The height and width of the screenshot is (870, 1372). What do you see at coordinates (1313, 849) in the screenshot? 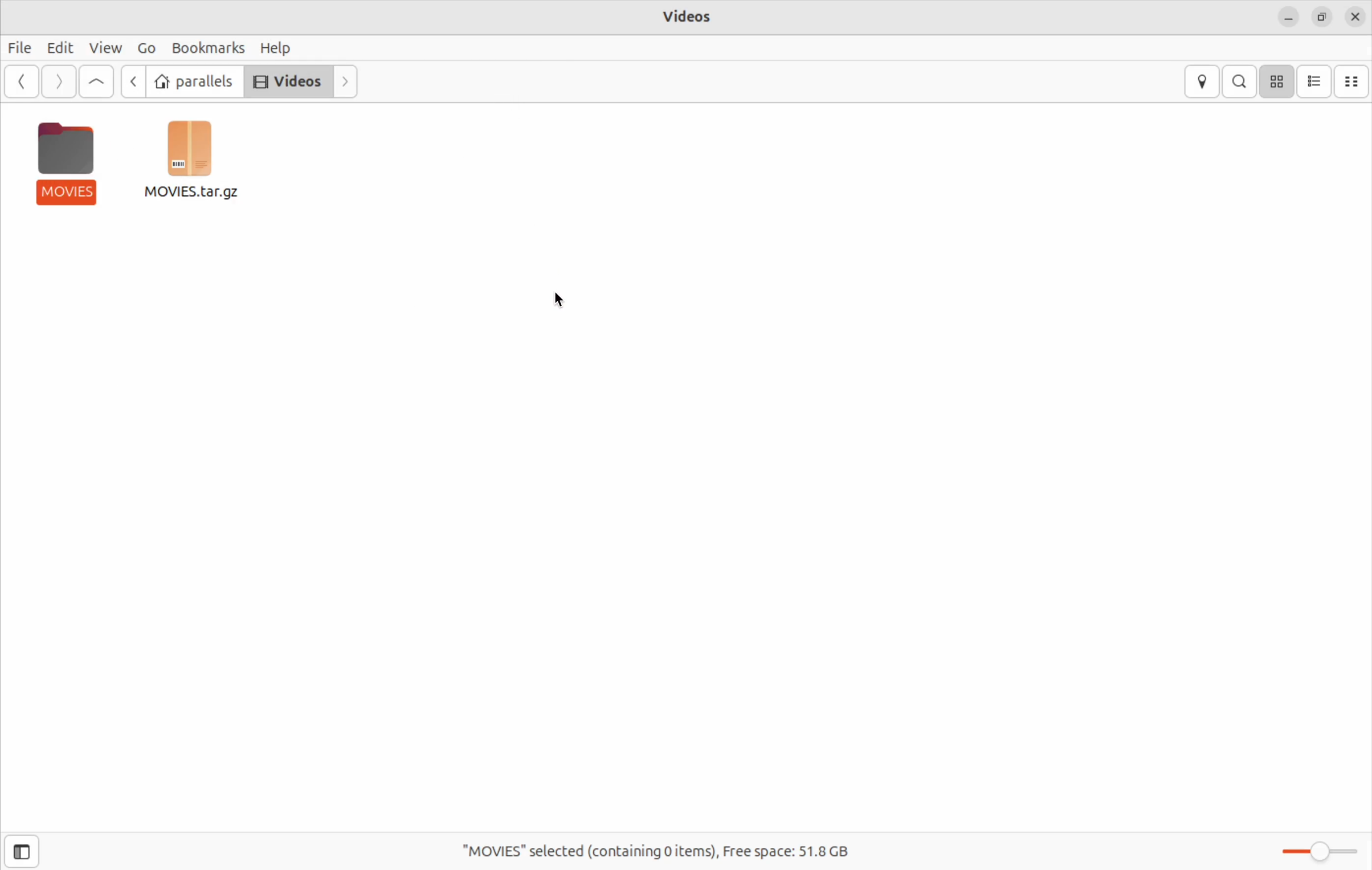
I see `toggle zoom bar` at bounding box center [1313, 849].